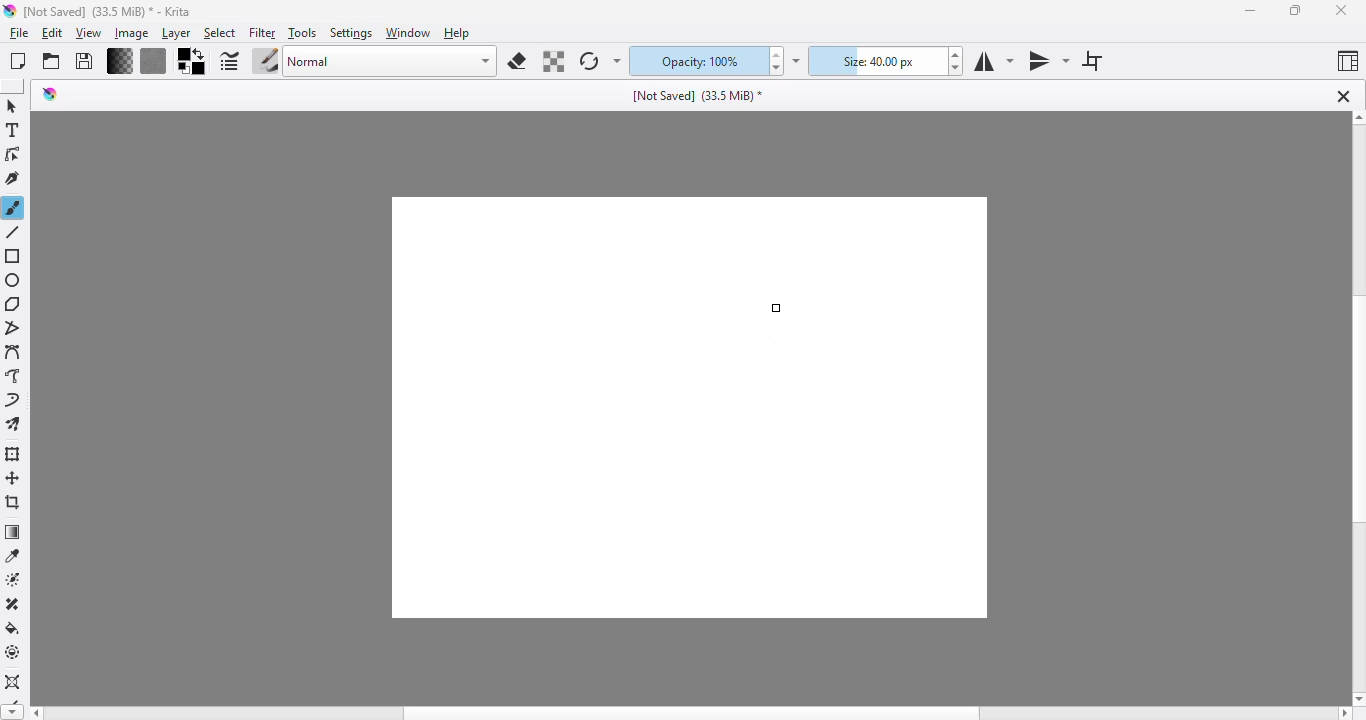 This screenshot has height=720, width=1366. What do you see at coordinates (15, 304) in the screenshot?
I see `polygon tool` at bounding box center [15, 304].